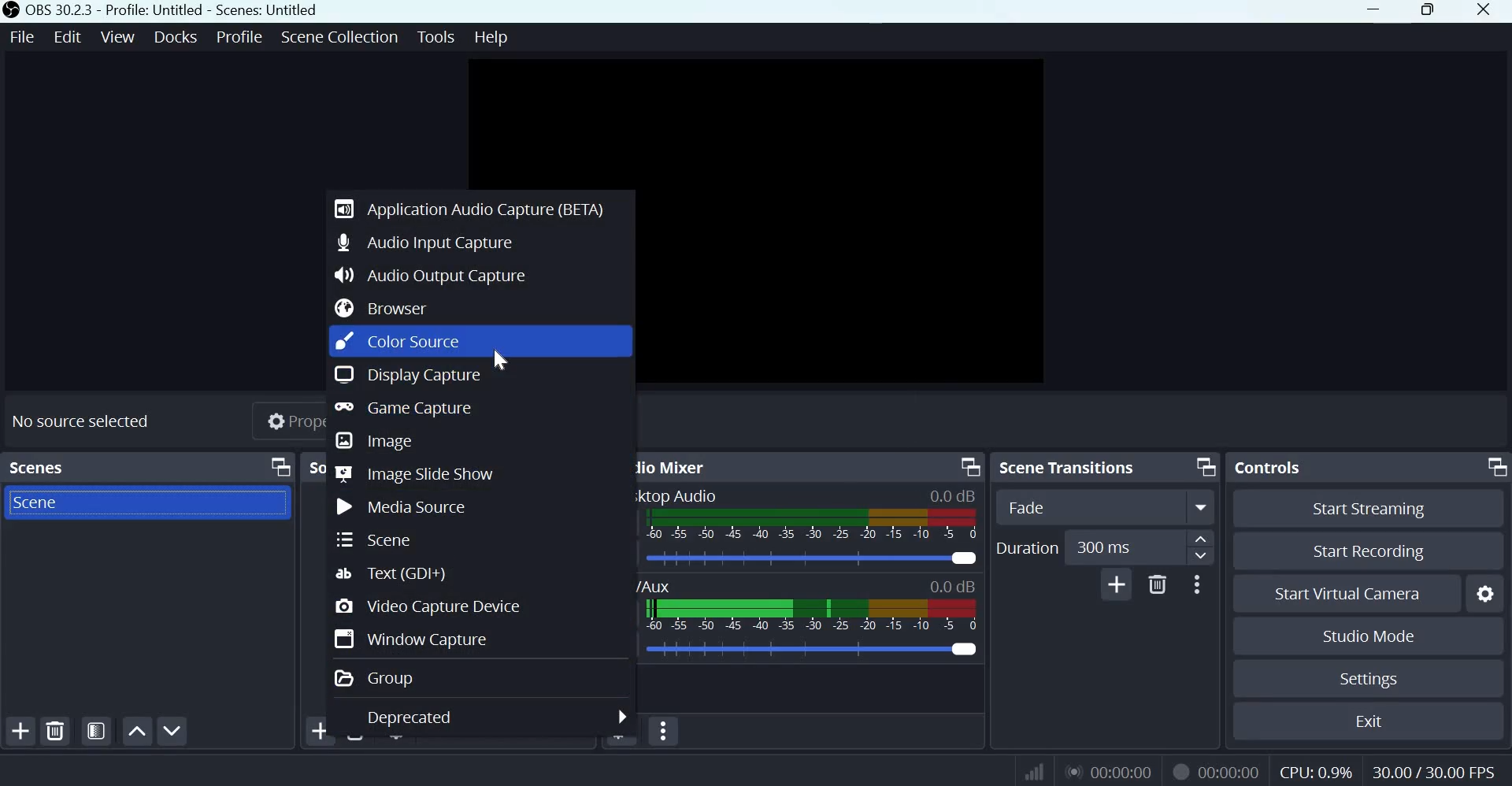 Image resolution: width=1512 pixels, height=786 pixels. I want to click on Deprecated, so click(412, 719).